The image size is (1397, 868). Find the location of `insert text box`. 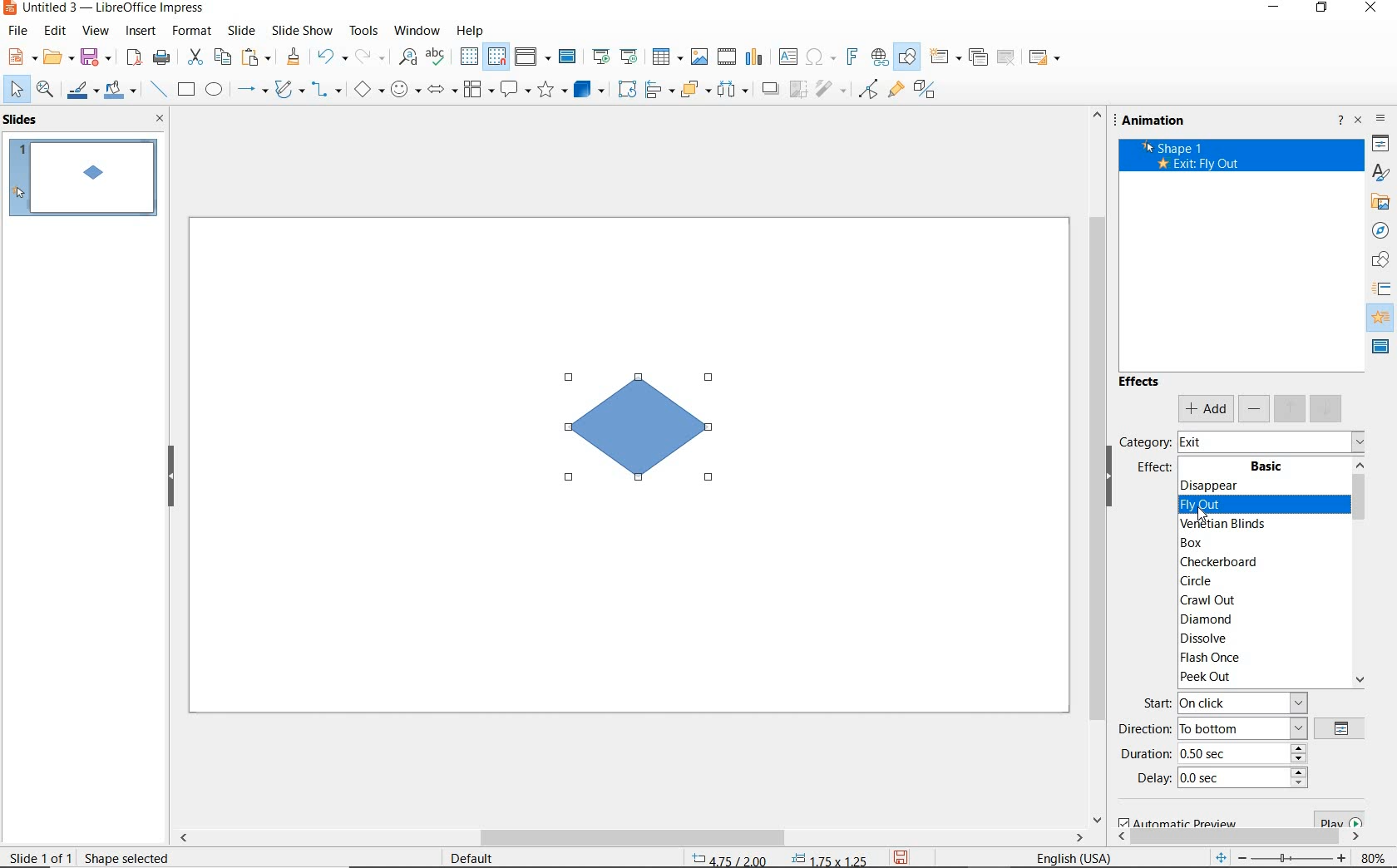

insert text box is located at coordinates (787, 57).